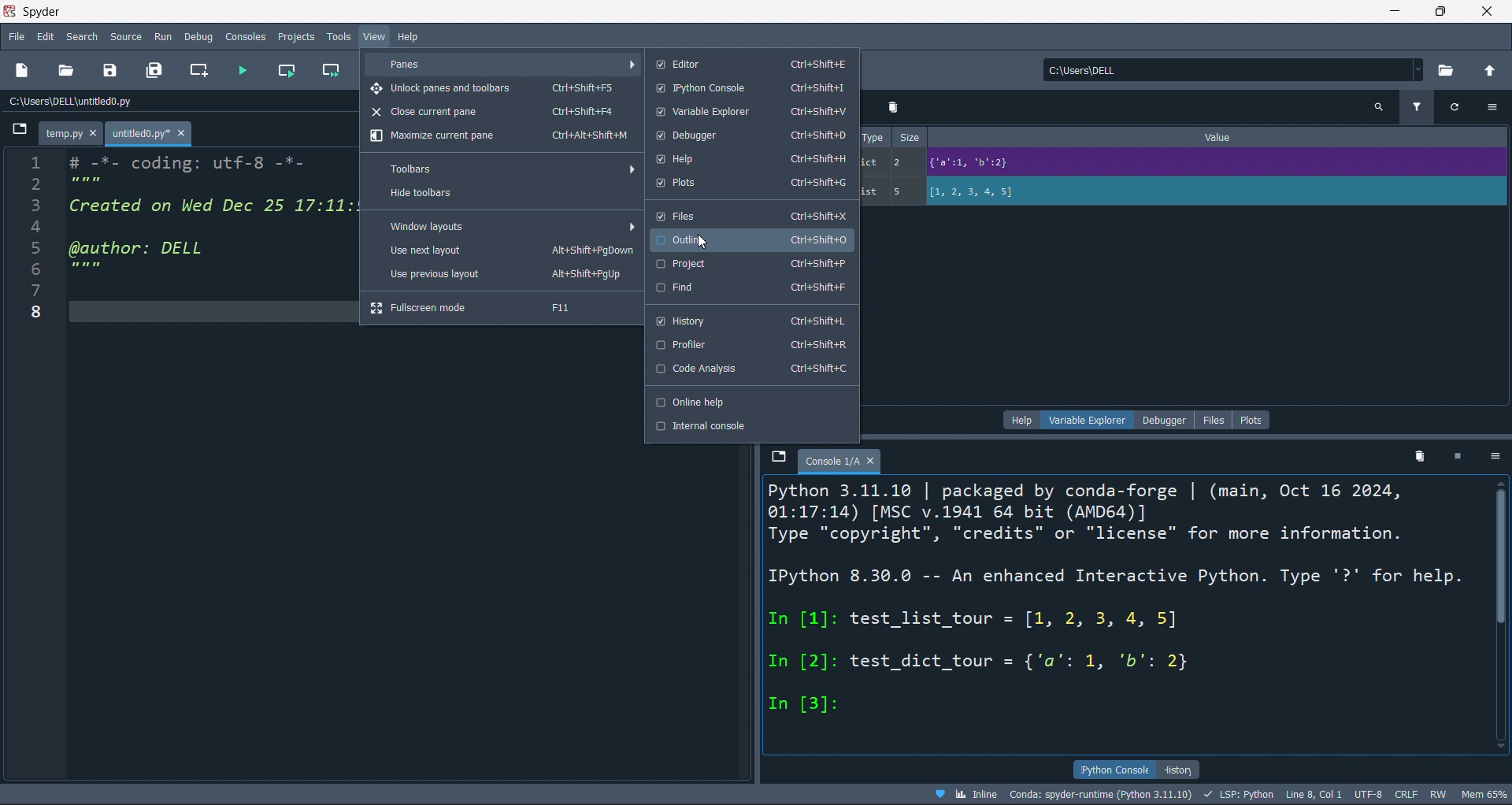 This screenshot has width=1512, height=805. What do you see at coordinates (751, 239) in the screenshot?
I see `outline` at bounding box center [751, 239].